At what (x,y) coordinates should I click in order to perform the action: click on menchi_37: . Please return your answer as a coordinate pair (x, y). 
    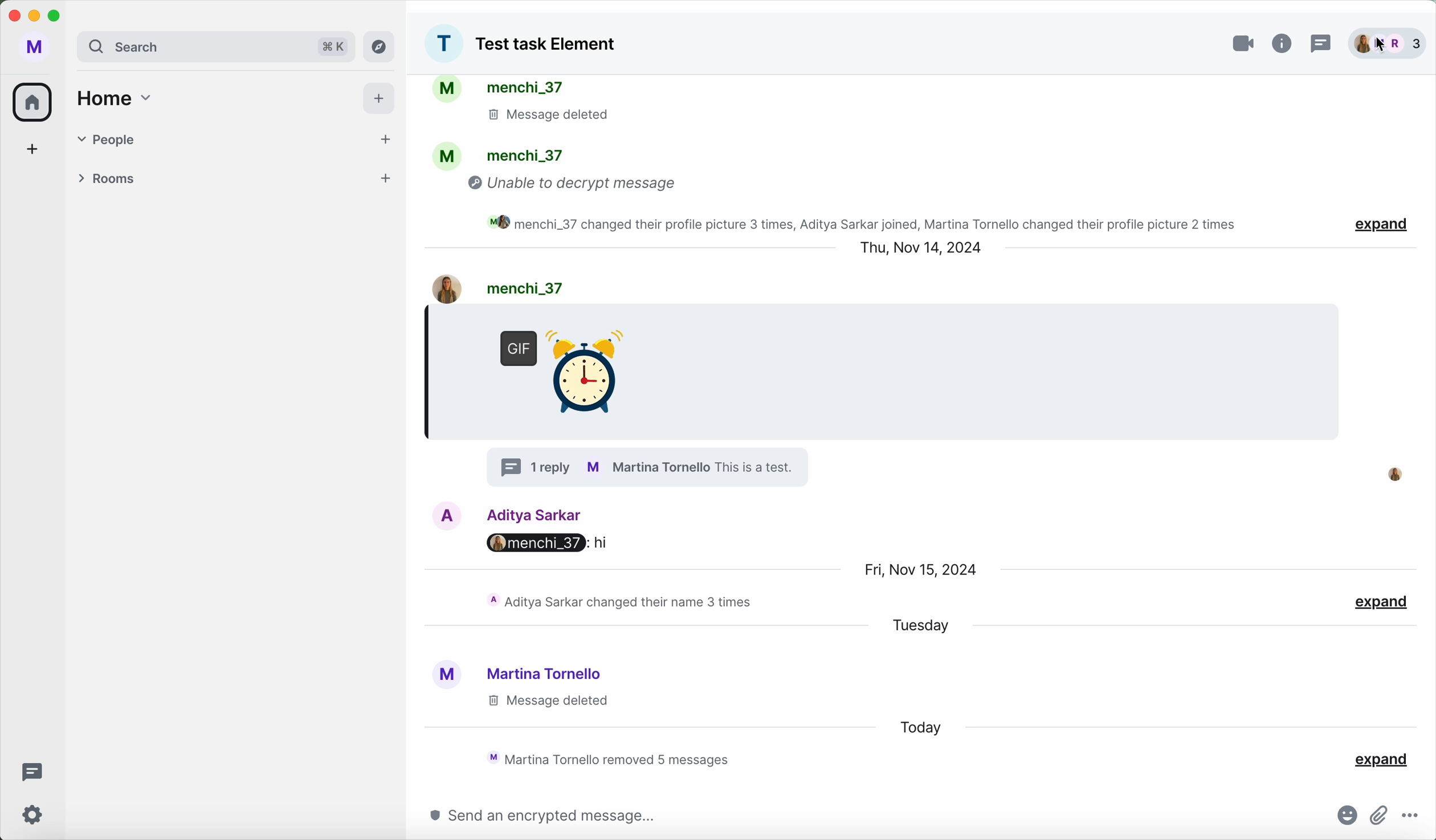
    Looking at the image, I should click on (531, 543).